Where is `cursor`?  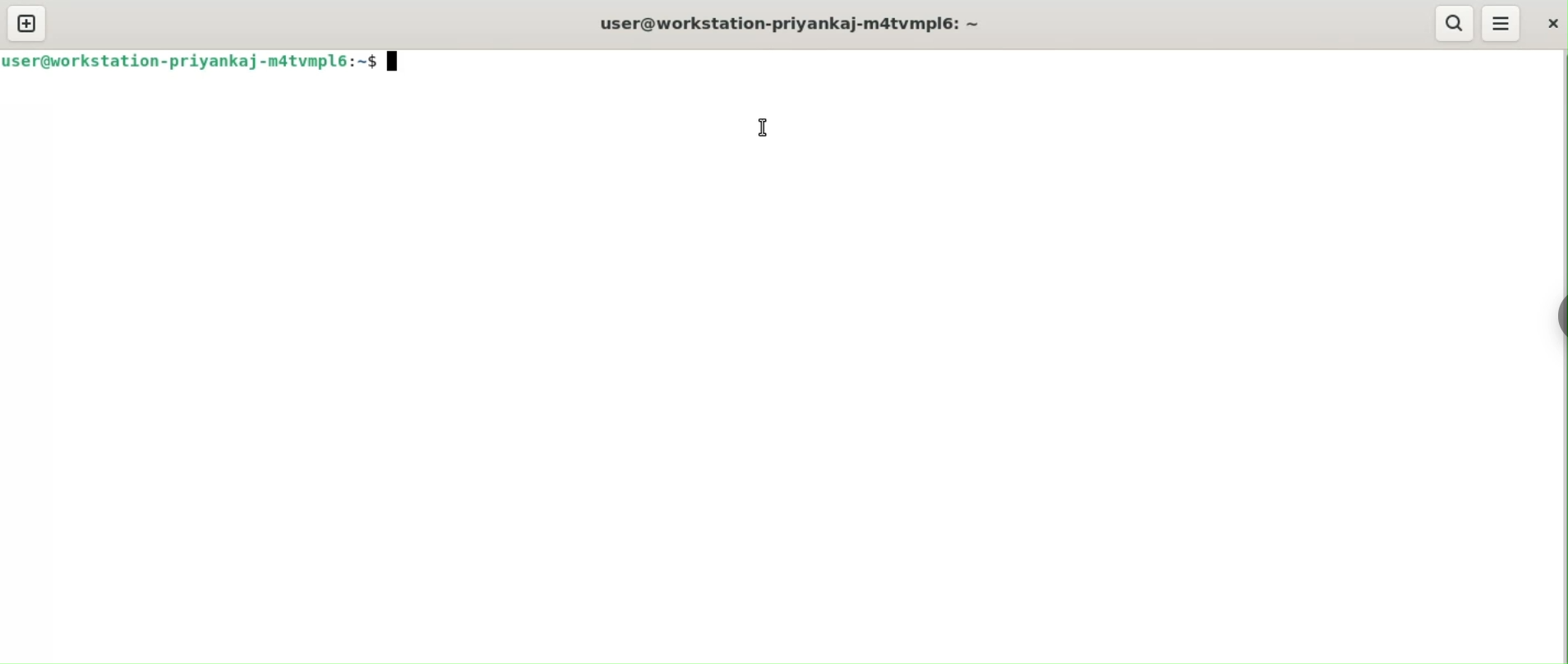 cursor is located at coordinates (761, 127).